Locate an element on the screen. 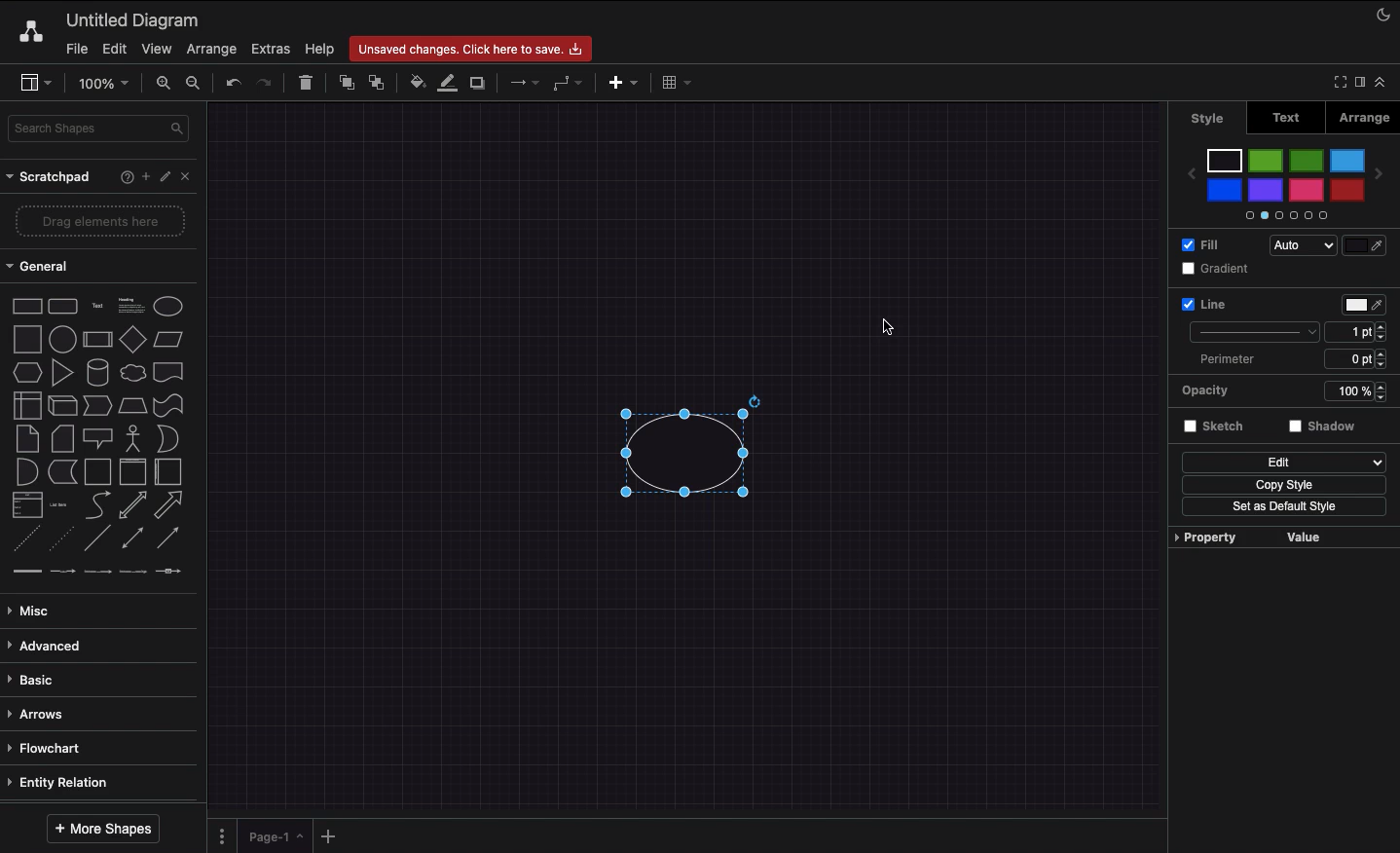 Image resolution: width=1400 pixels, height=853 pixels. File is located at coordinates (75, 49).